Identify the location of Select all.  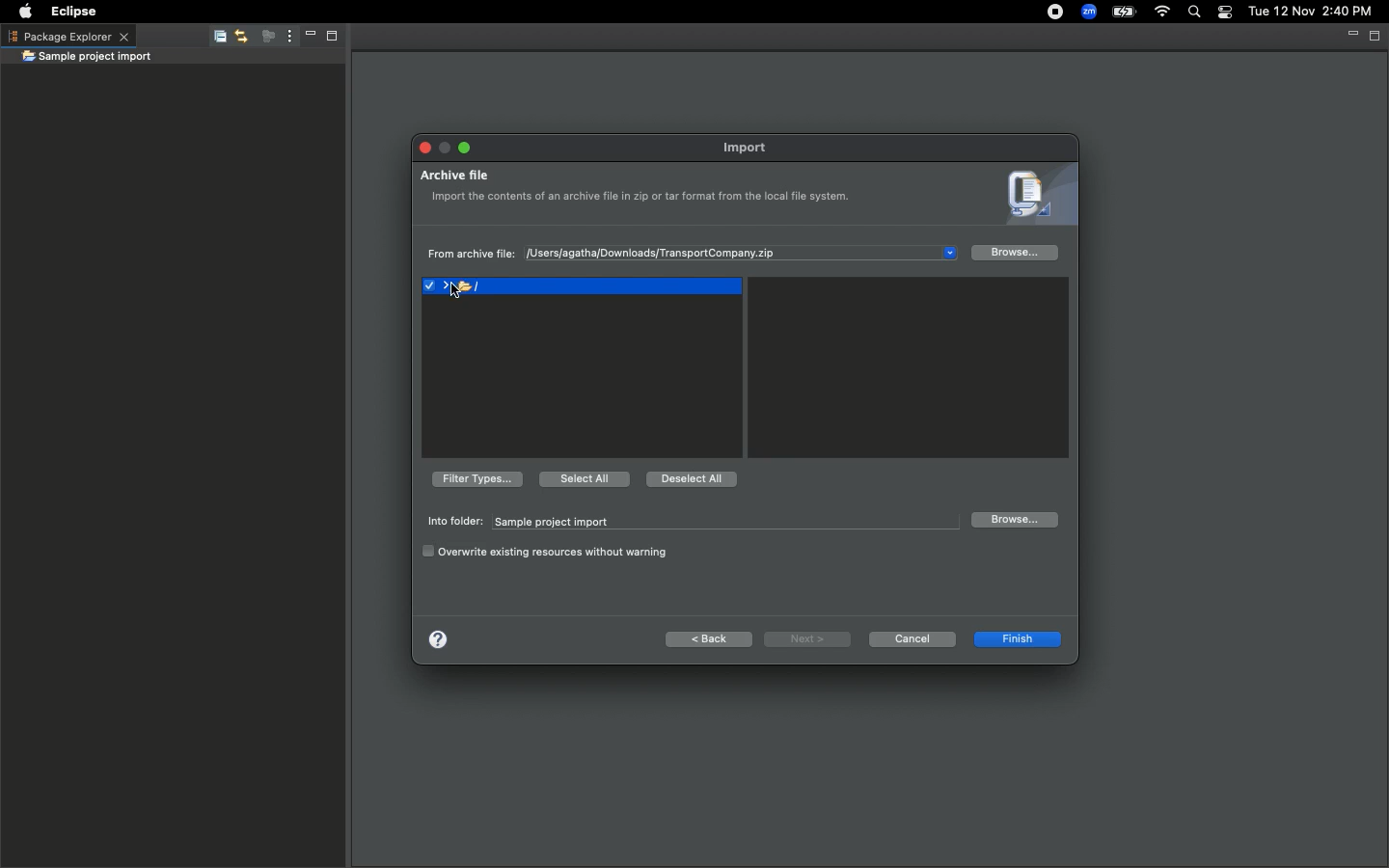
(583, 477).